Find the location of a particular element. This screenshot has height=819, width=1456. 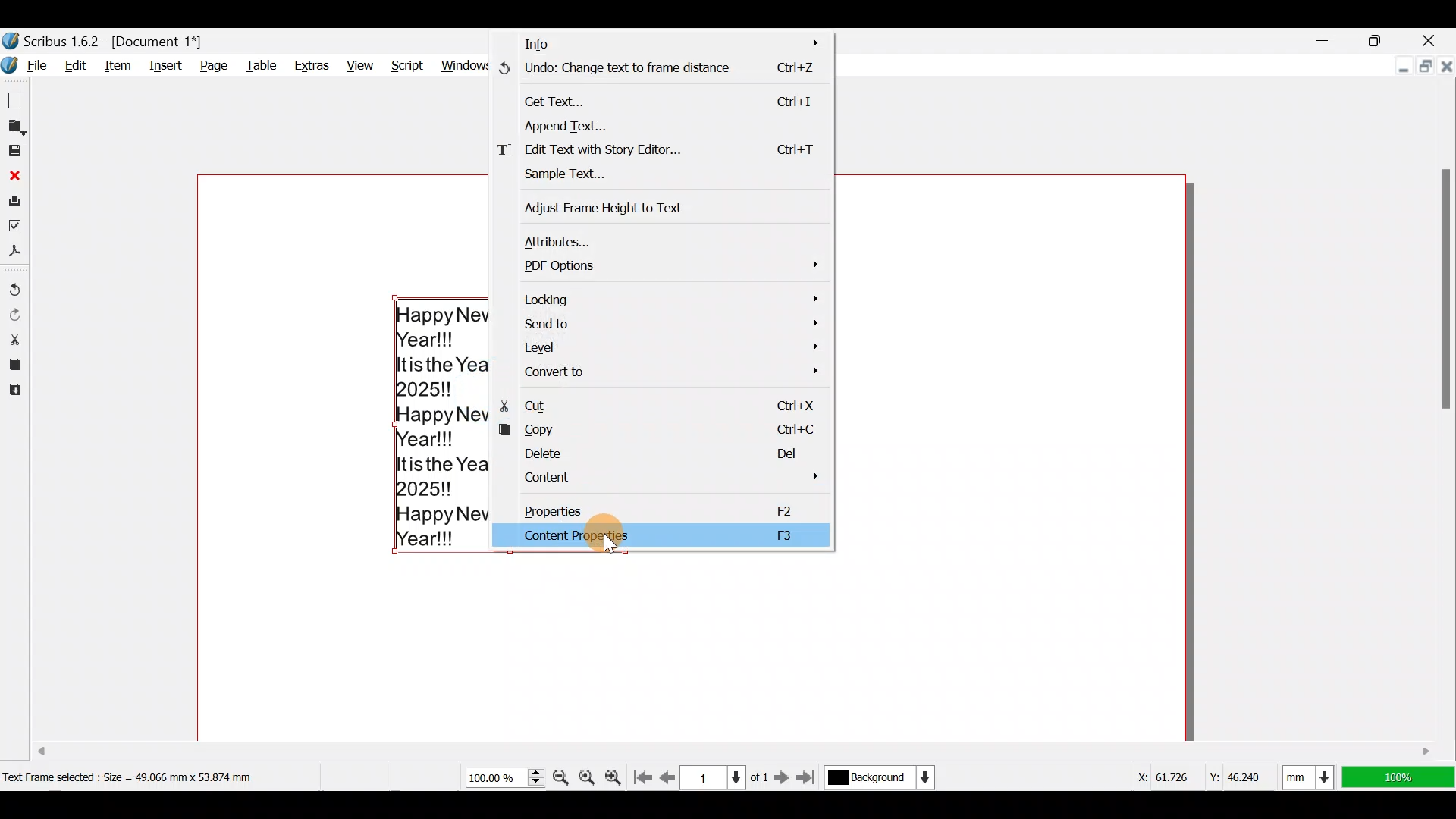

Extras is located at coordinates (314, 65).